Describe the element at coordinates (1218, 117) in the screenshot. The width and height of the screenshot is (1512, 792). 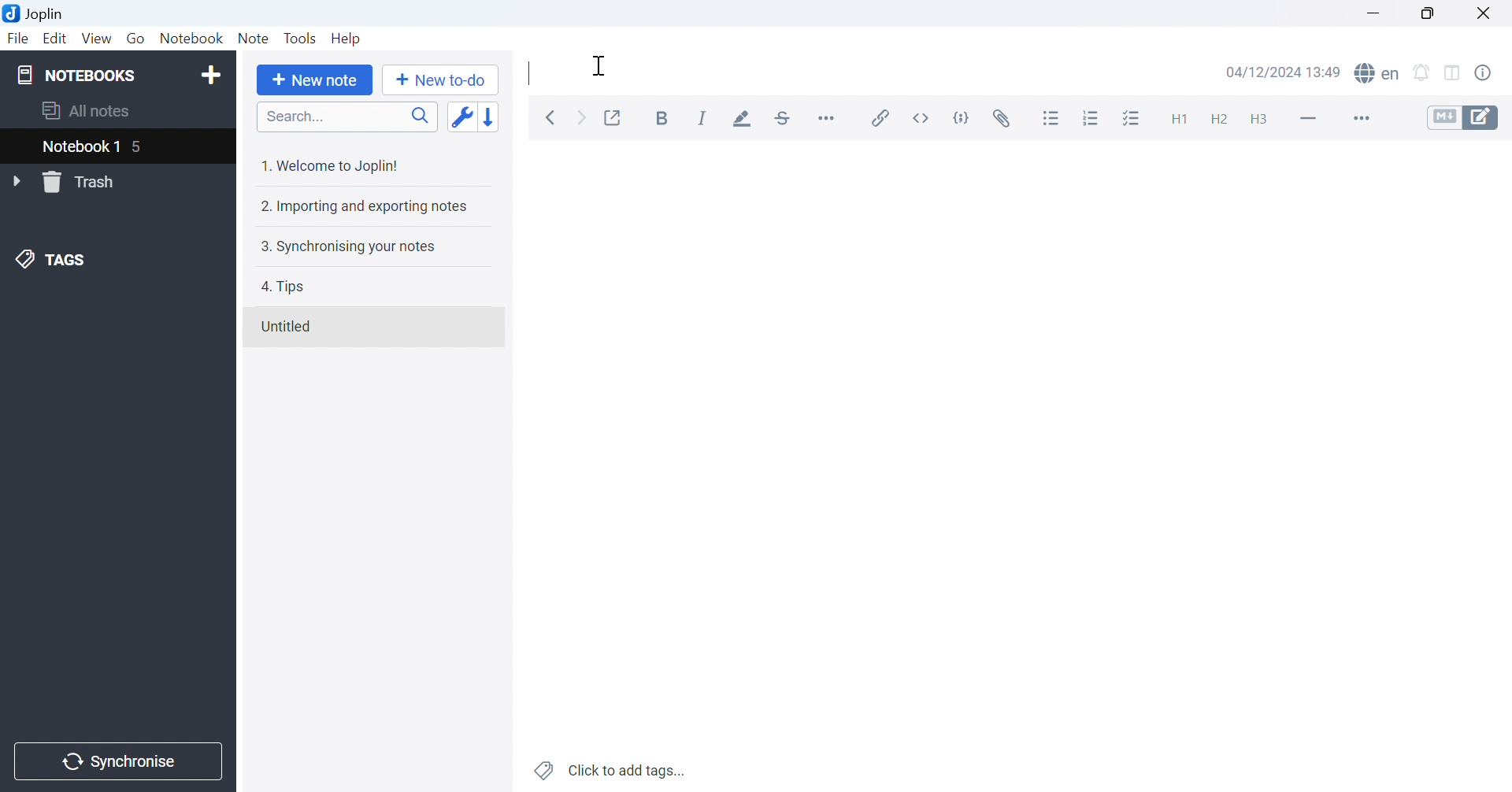
I see `Heading 2` at that location.